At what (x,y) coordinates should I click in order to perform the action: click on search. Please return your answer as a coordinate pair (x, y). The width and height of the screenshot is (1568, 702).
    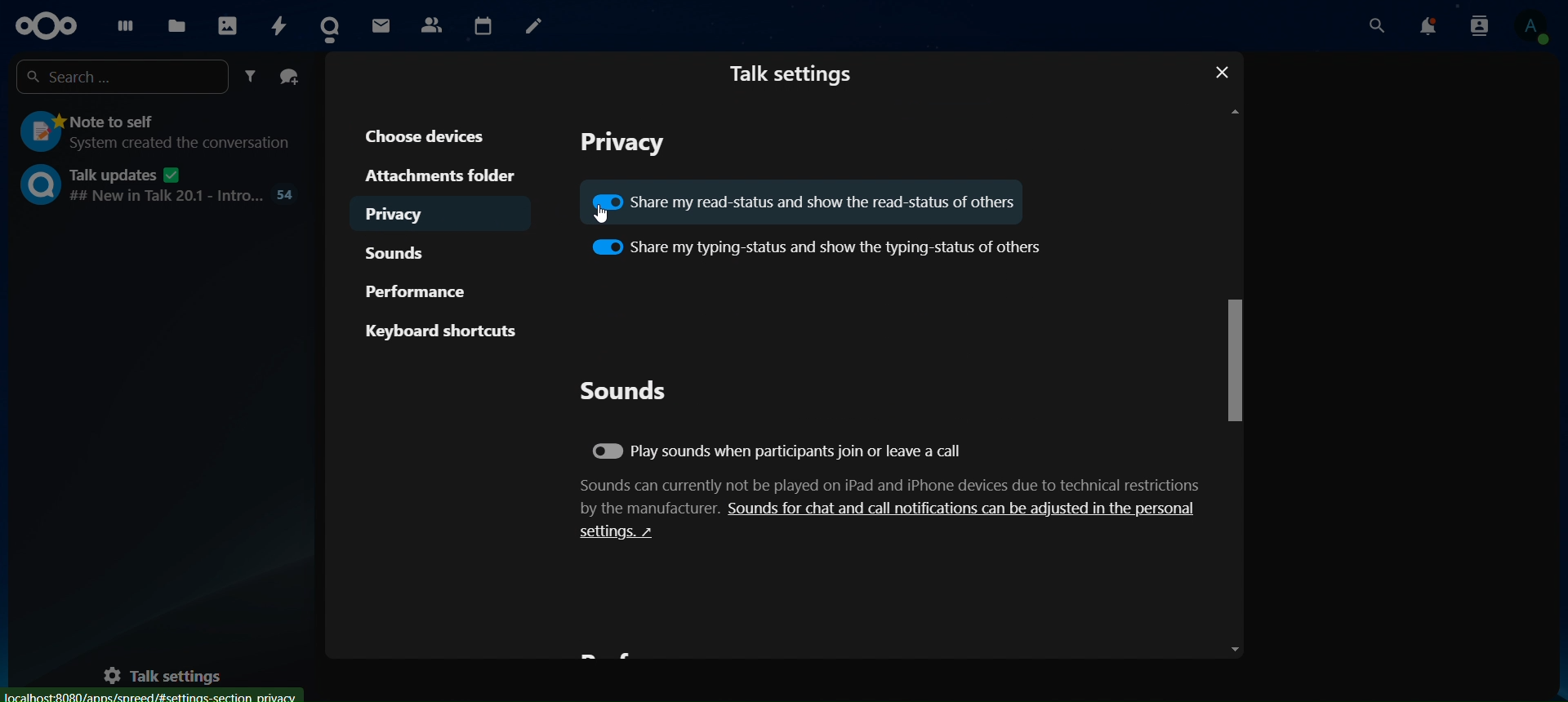
    Looking at the image, I should click on (1379, 25).